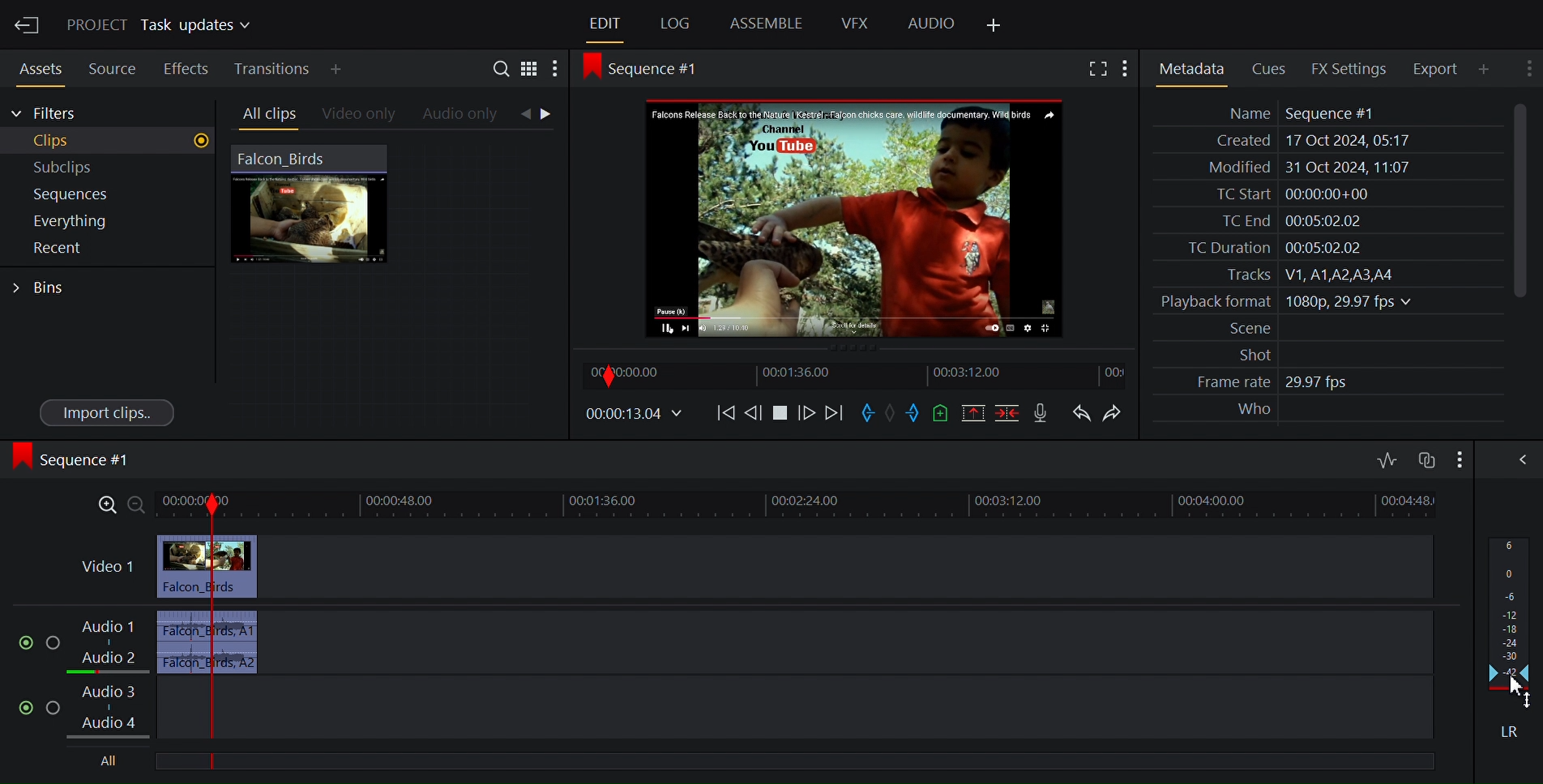 The width and height of the screenshot is (1543, 784). Describe the element at coordinates (914, 414) in the screenshot. I see `Mark out` at that location.